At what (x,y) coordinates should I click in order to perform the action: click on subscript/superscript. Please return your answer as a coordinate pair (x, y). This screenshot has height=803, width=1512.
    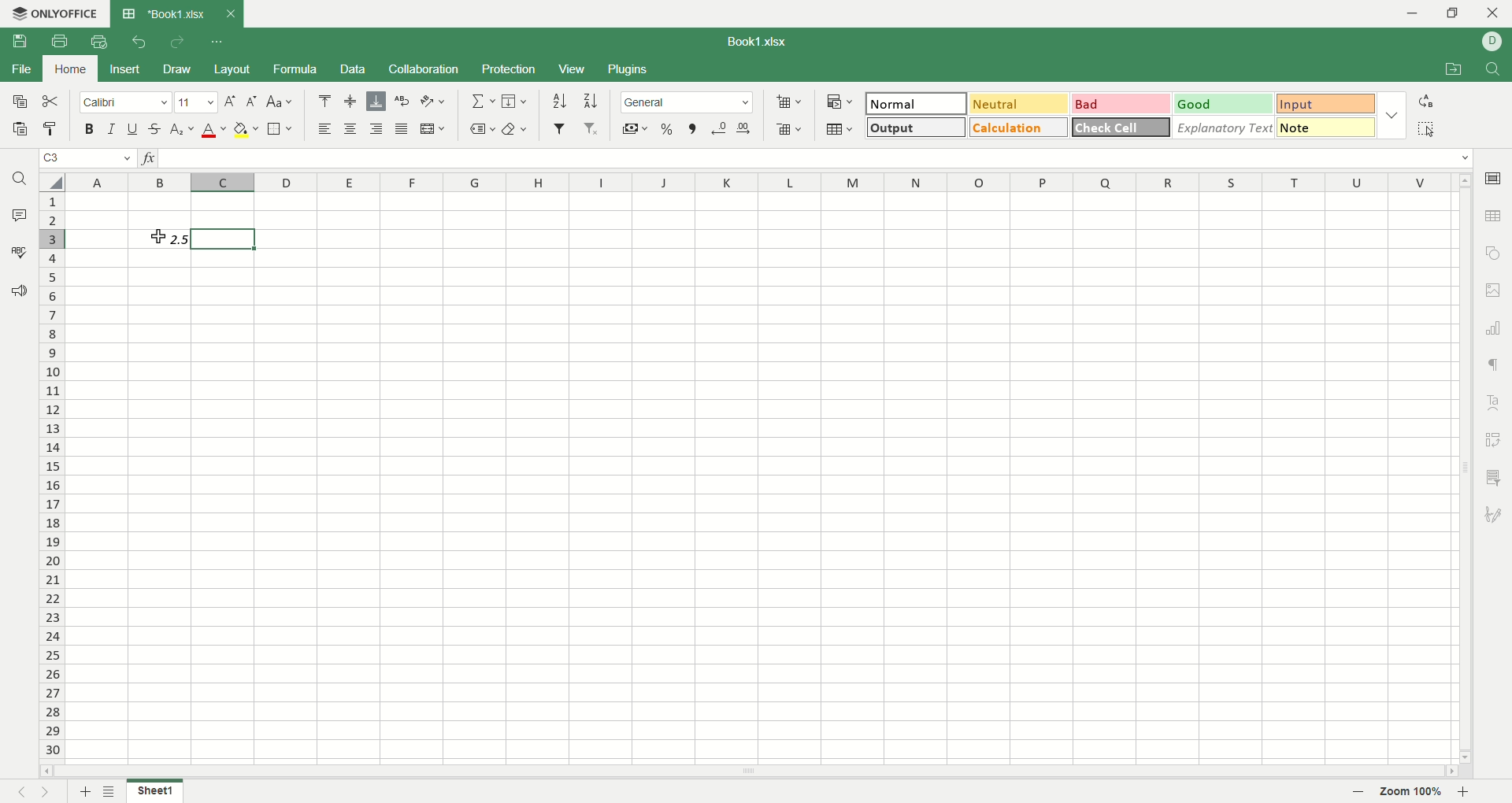
    Looking at the image, I should click on (183, 128).